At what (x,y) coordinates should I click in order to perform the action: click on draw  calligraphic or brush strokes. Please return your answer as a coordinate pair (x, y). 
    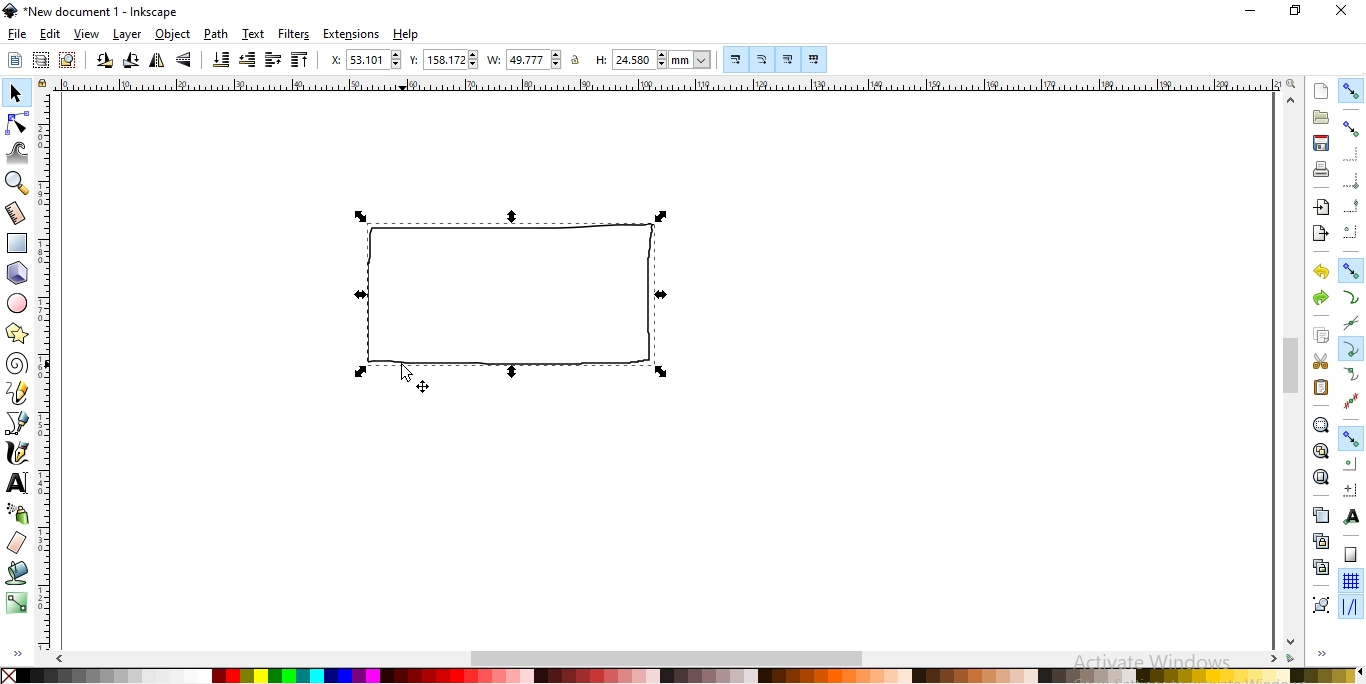
    Looking at the image, I should click on (17, 453).